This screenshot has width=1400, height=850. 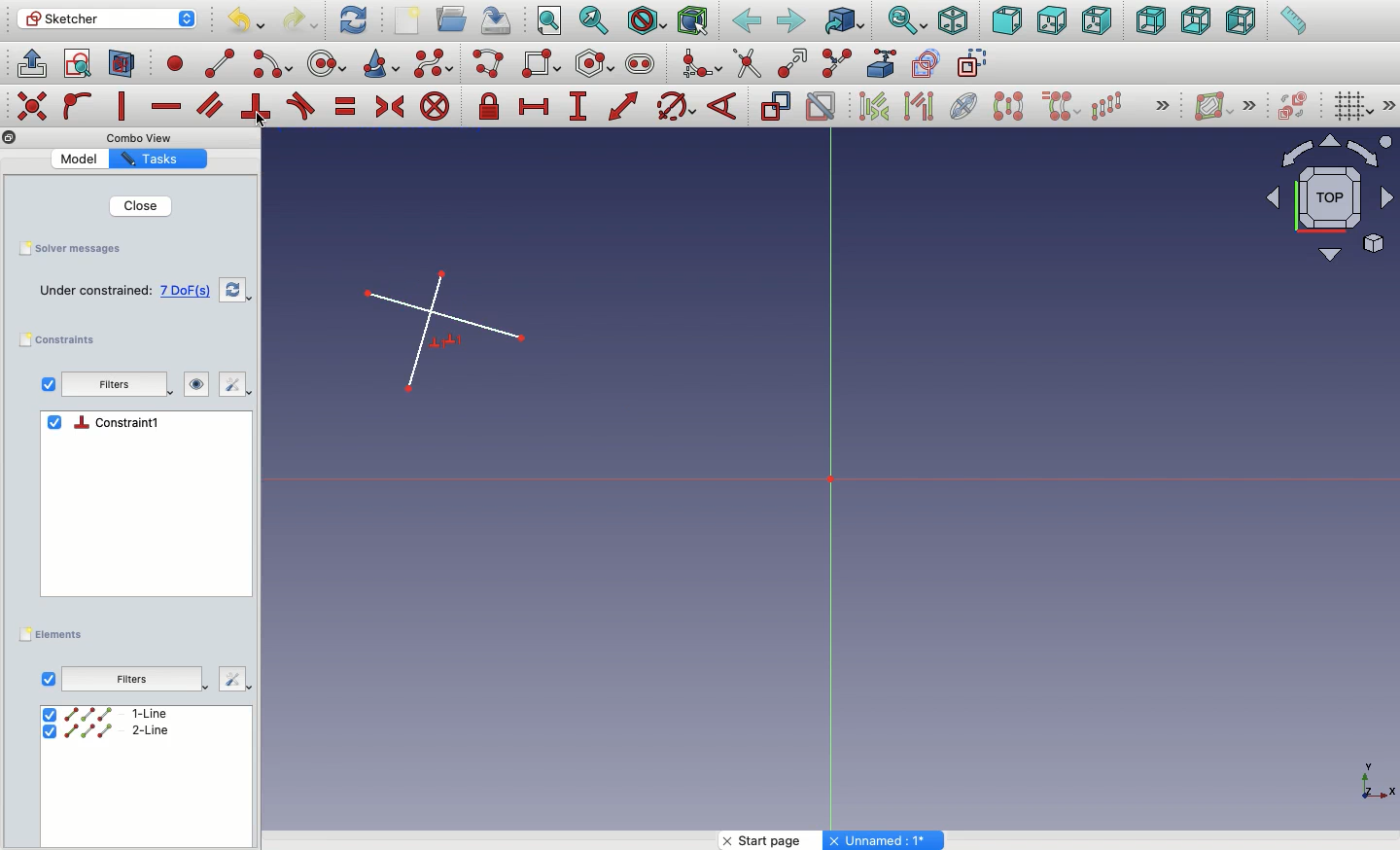 What do you see at coordinates (747, 64) in the screenshot?
I see `trim edge` at bounding box center [747, 64].